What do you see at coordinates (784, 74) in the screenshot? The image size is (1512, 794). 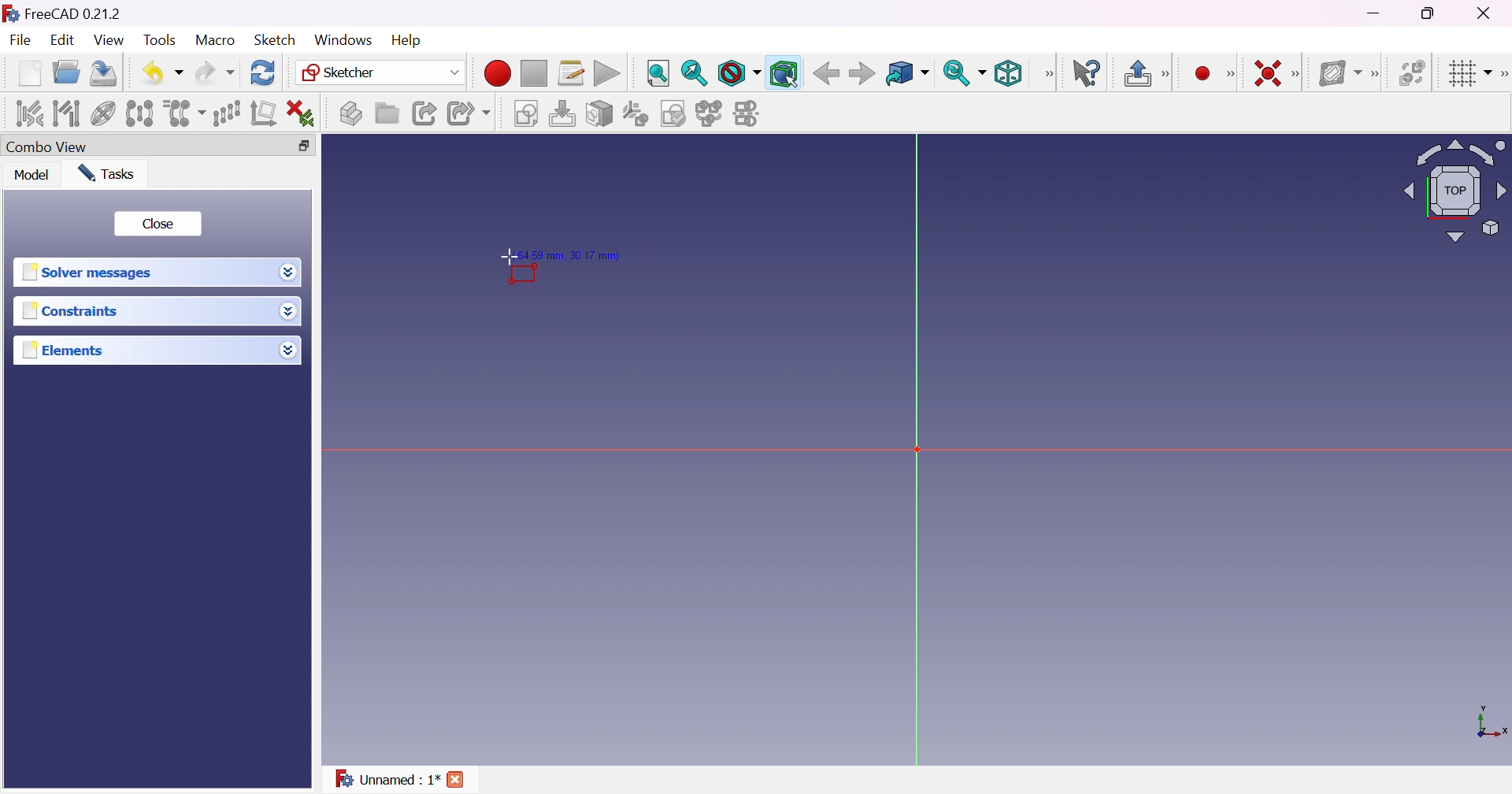 I see `Bounding box` at bounding box center [784, 74].